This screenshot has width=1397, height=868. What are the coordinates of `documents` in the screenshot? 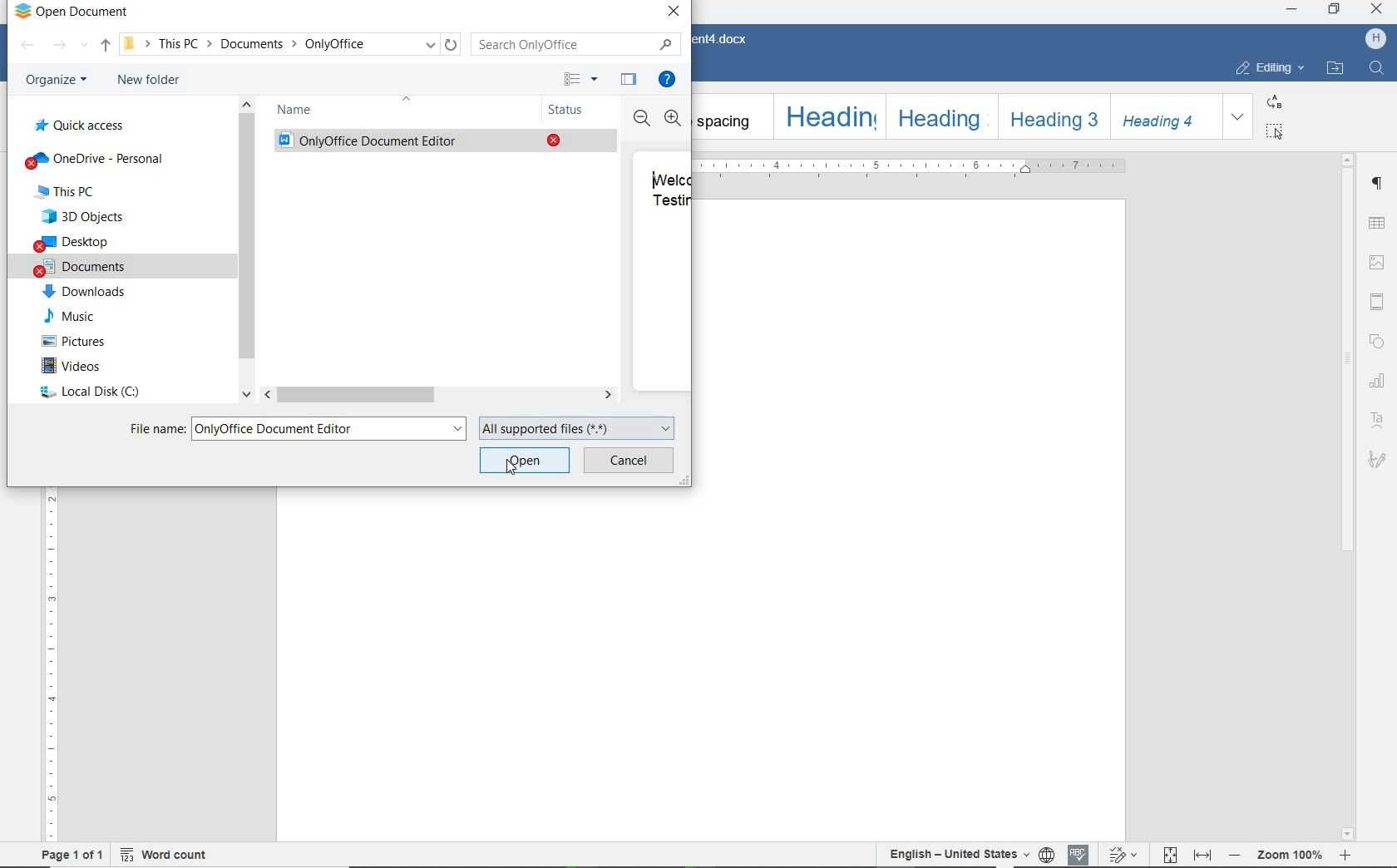 It's located at (77, 269).